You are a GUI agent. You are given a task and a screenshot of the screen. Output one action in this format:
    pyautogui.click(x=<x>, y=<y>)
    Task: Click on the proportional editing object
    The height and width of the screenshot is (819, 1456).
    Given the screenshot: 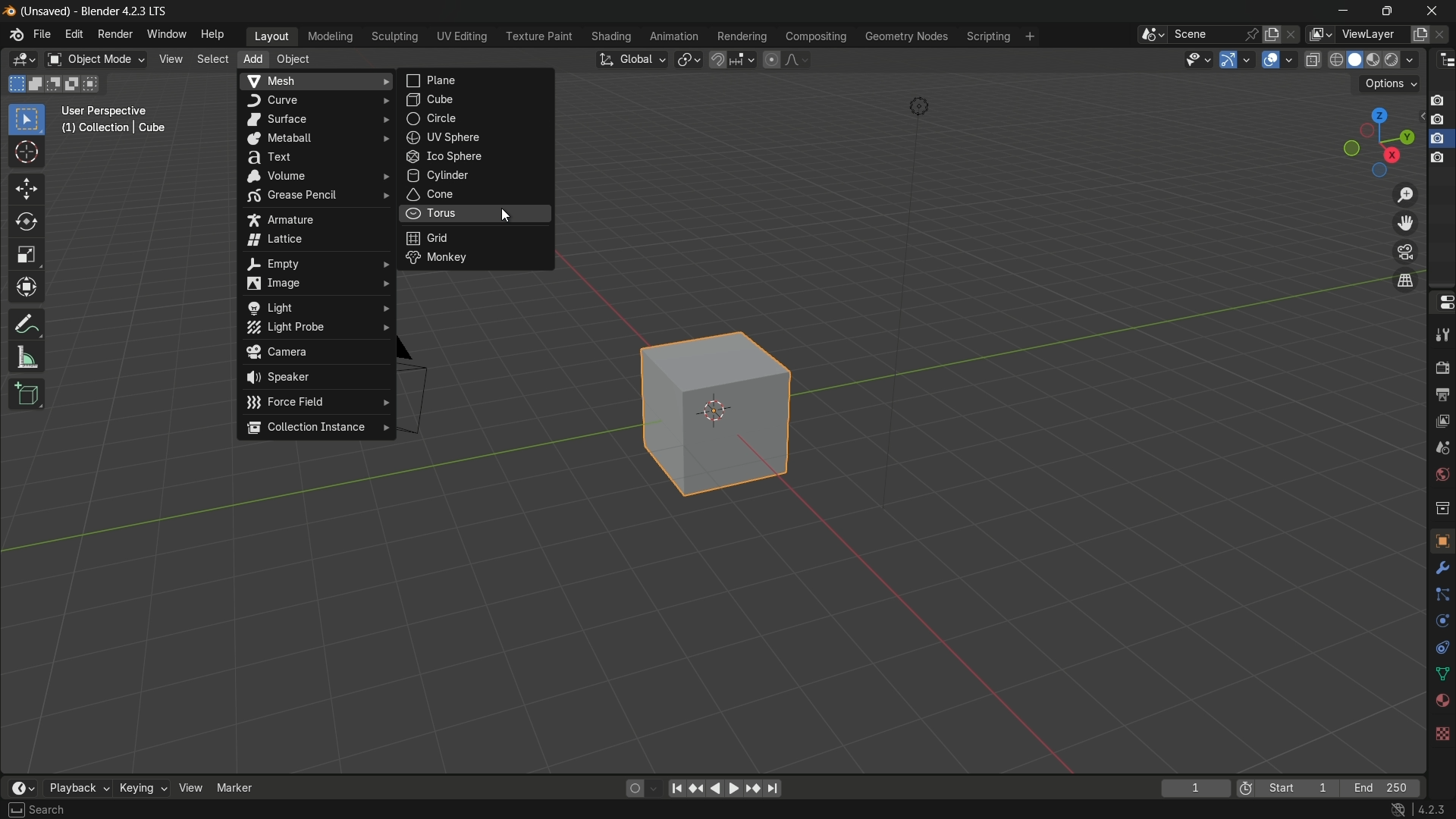 What is the action you would take?
    pyautogui.click(x=770, y=59)
    